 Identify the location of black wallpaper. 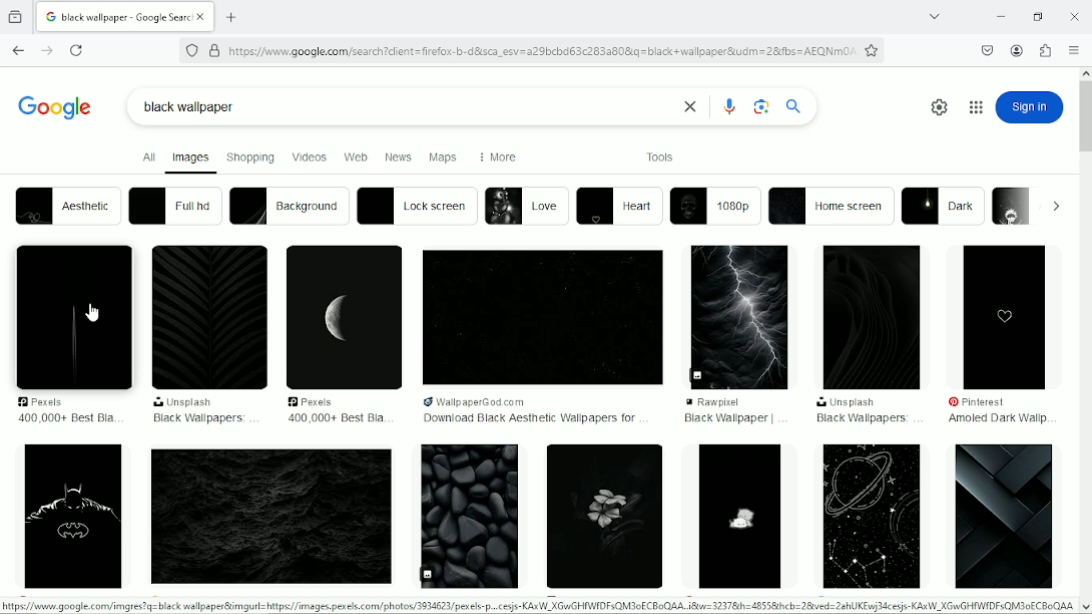
(190, 107).